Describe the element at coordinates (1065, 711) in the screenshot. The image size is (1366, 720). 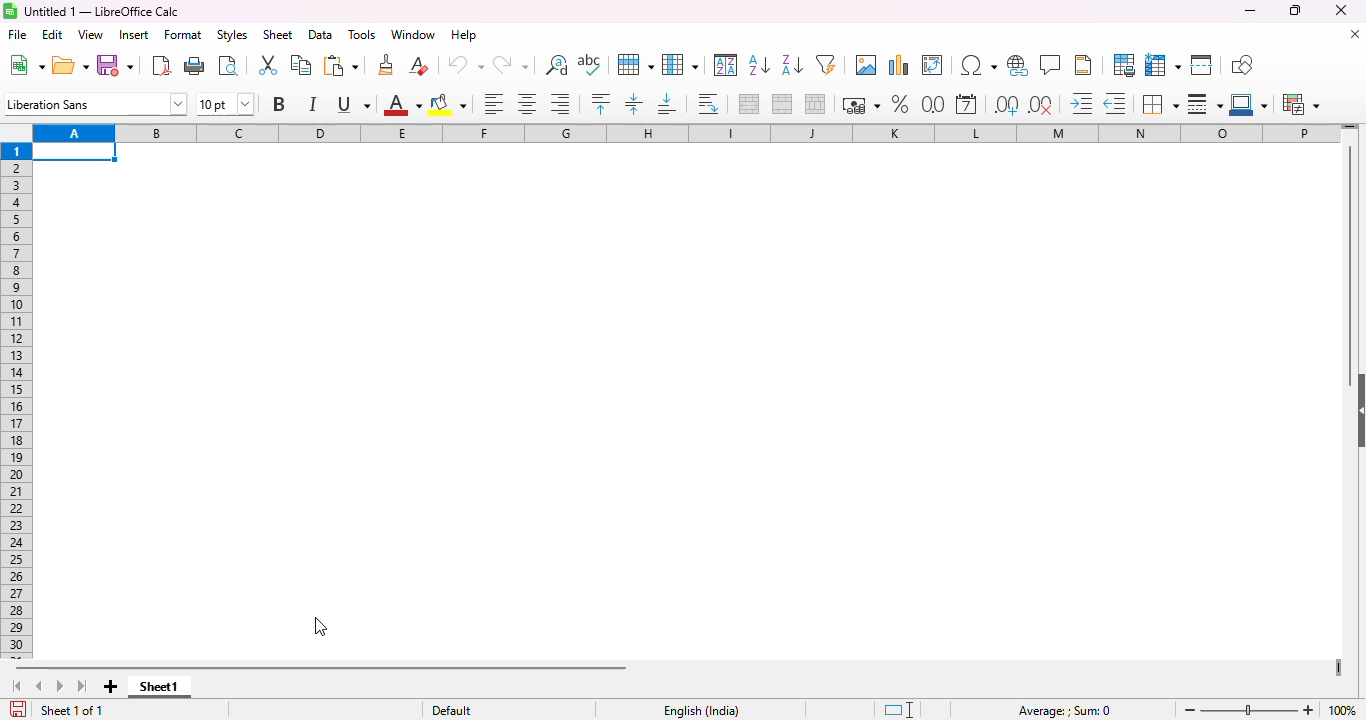
I see `formula` at that location.